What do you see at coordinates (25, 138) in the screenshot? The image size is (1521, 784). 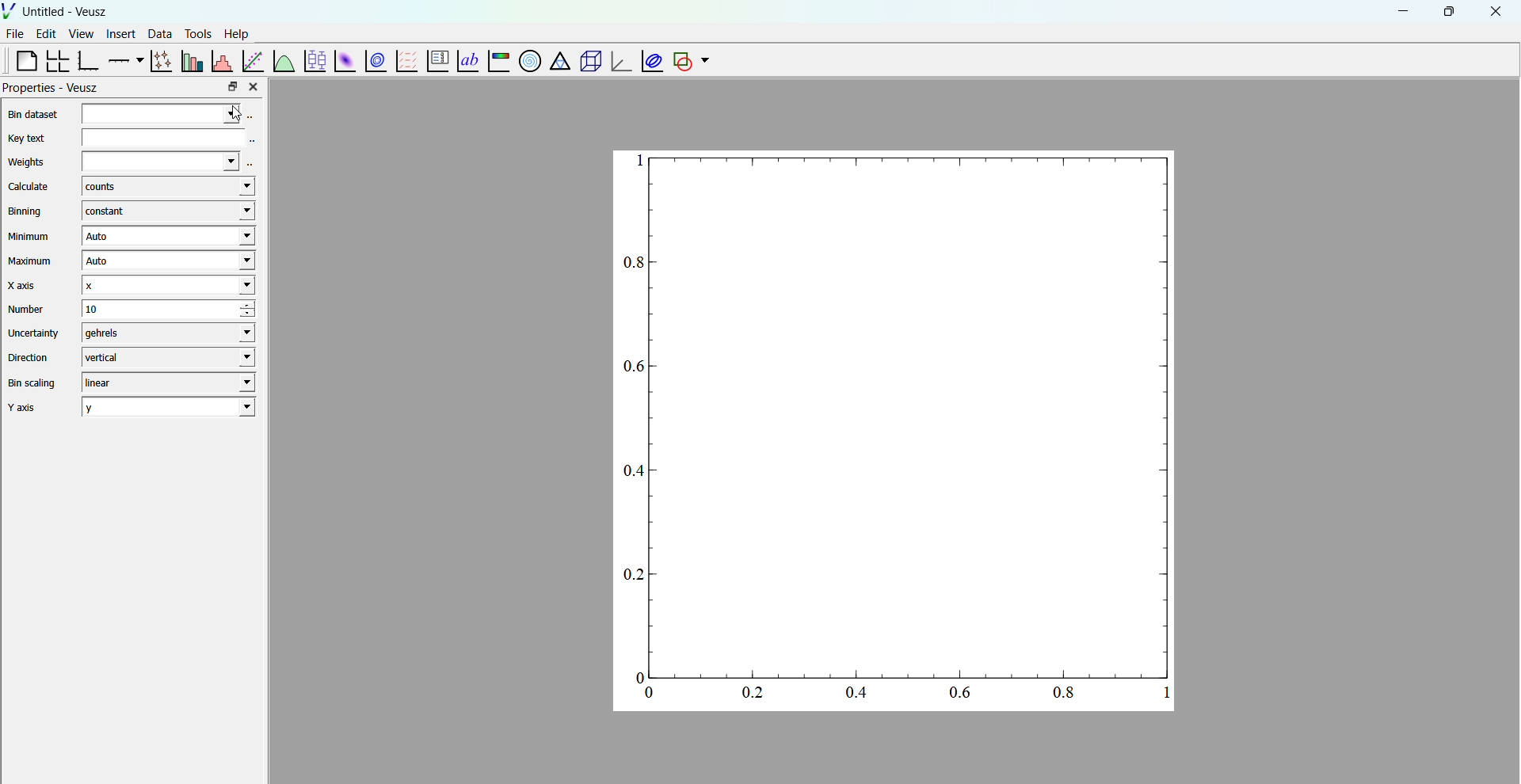 I see `Key text` at bounding box center [25, 138].